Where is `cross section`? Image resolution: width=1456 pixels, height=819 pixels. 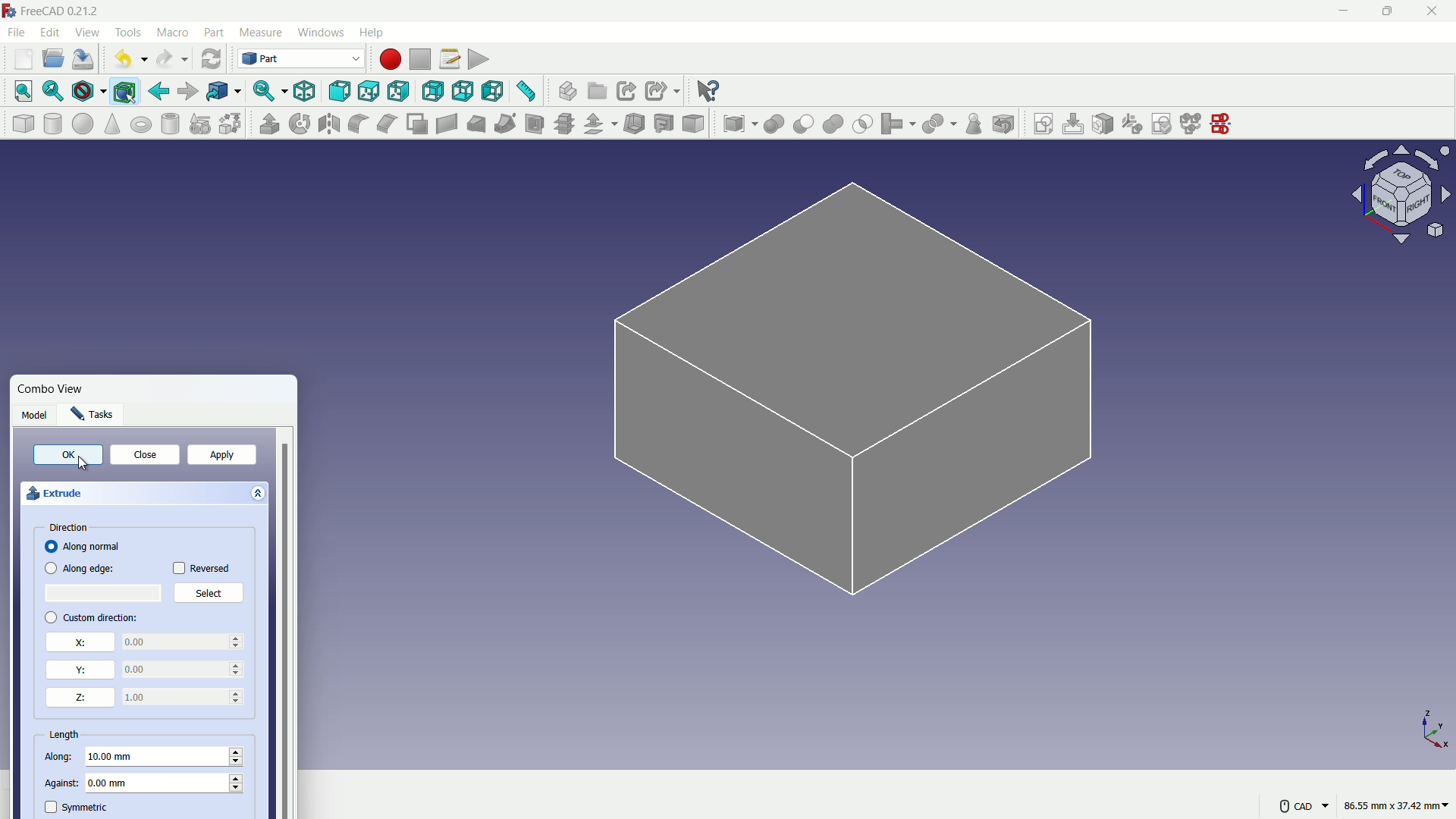
cross section is located at coordinates (567, 123).